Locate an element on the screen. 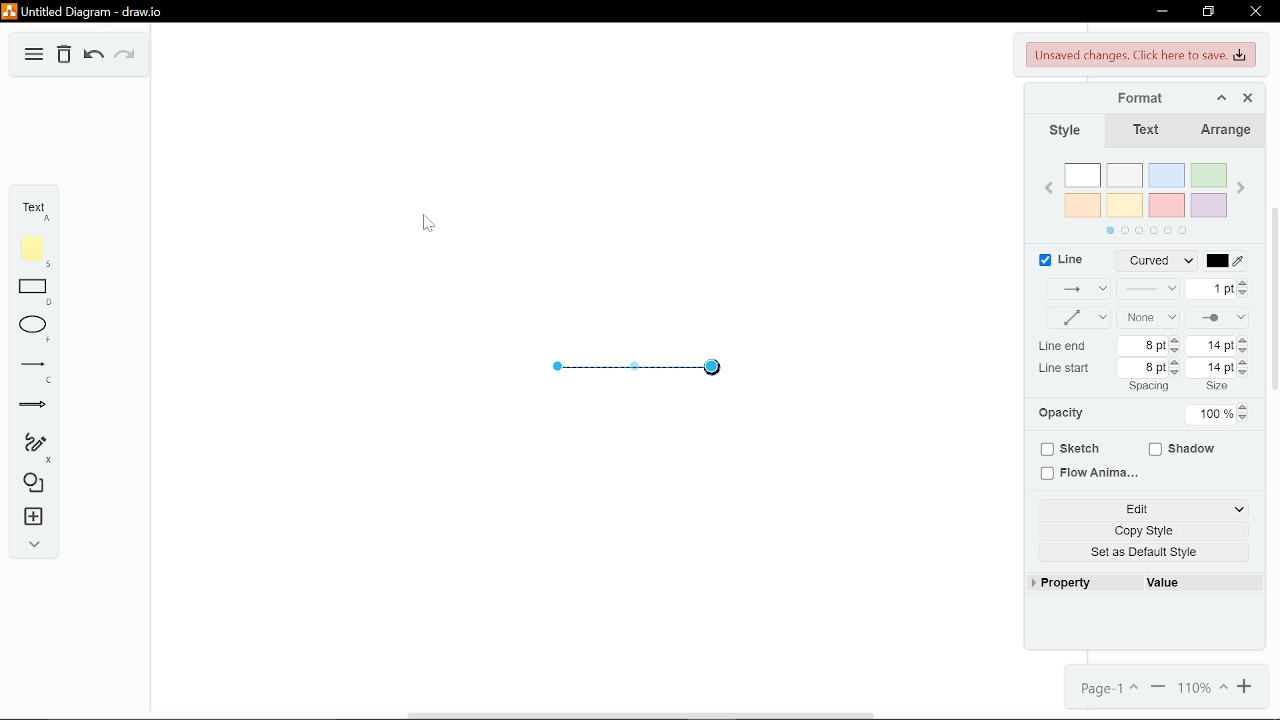 Image resolution: width=1280 pixels, height=720 pixels. Line is located at coordinates (1063, 260).